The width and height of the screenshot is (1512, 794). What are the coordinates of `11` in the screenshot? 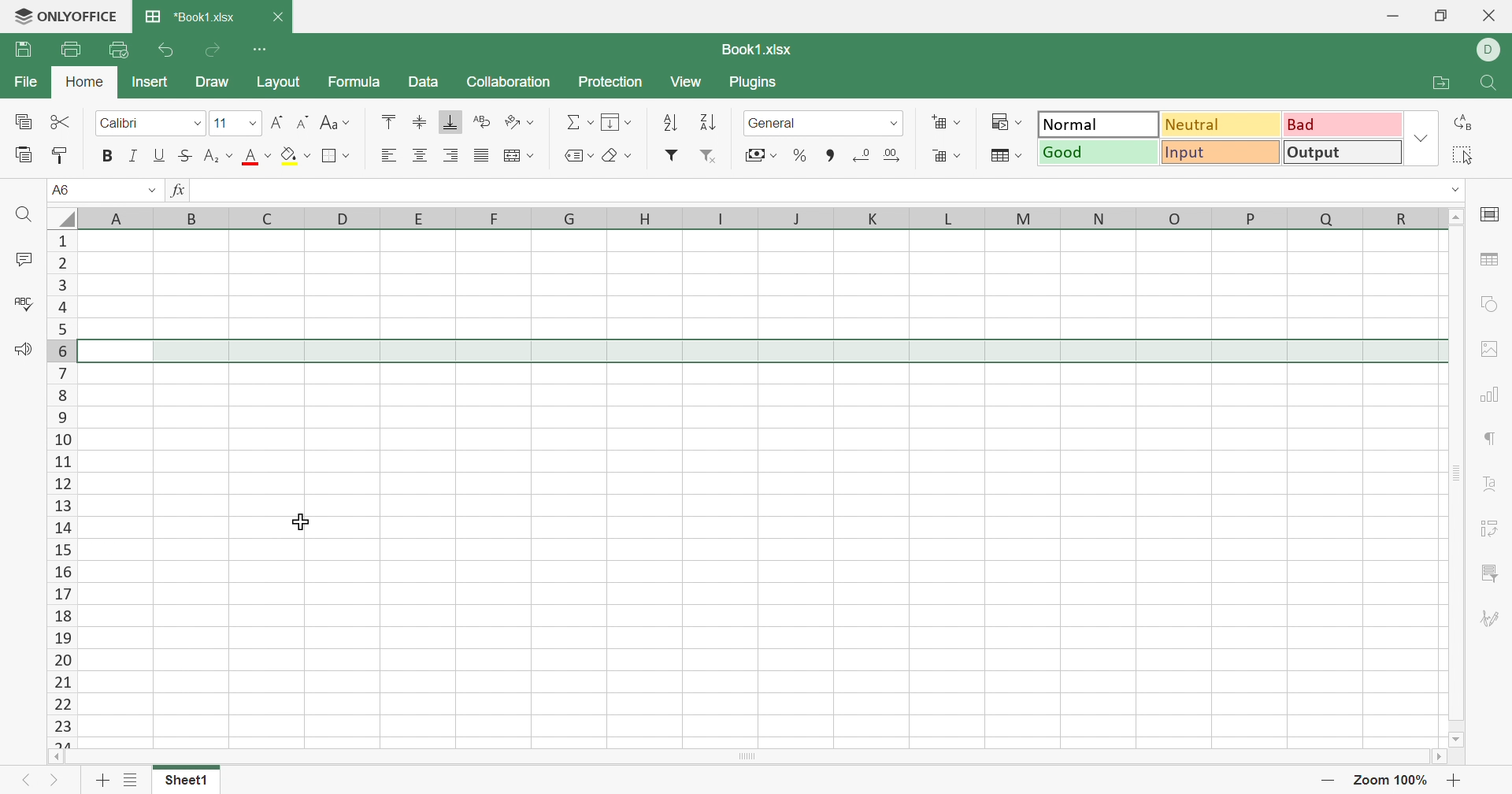 It's located at (220, 123).